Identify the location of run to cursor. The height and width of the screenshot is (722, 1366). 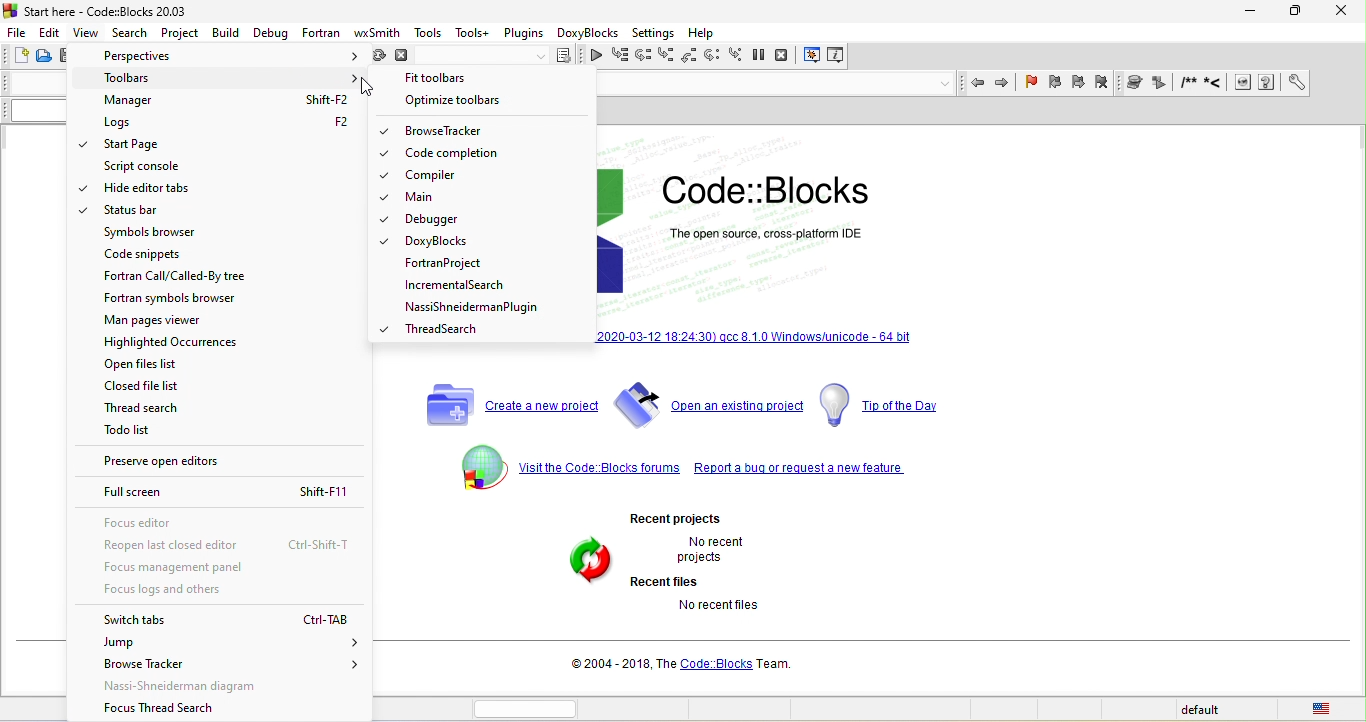
(620, 57).